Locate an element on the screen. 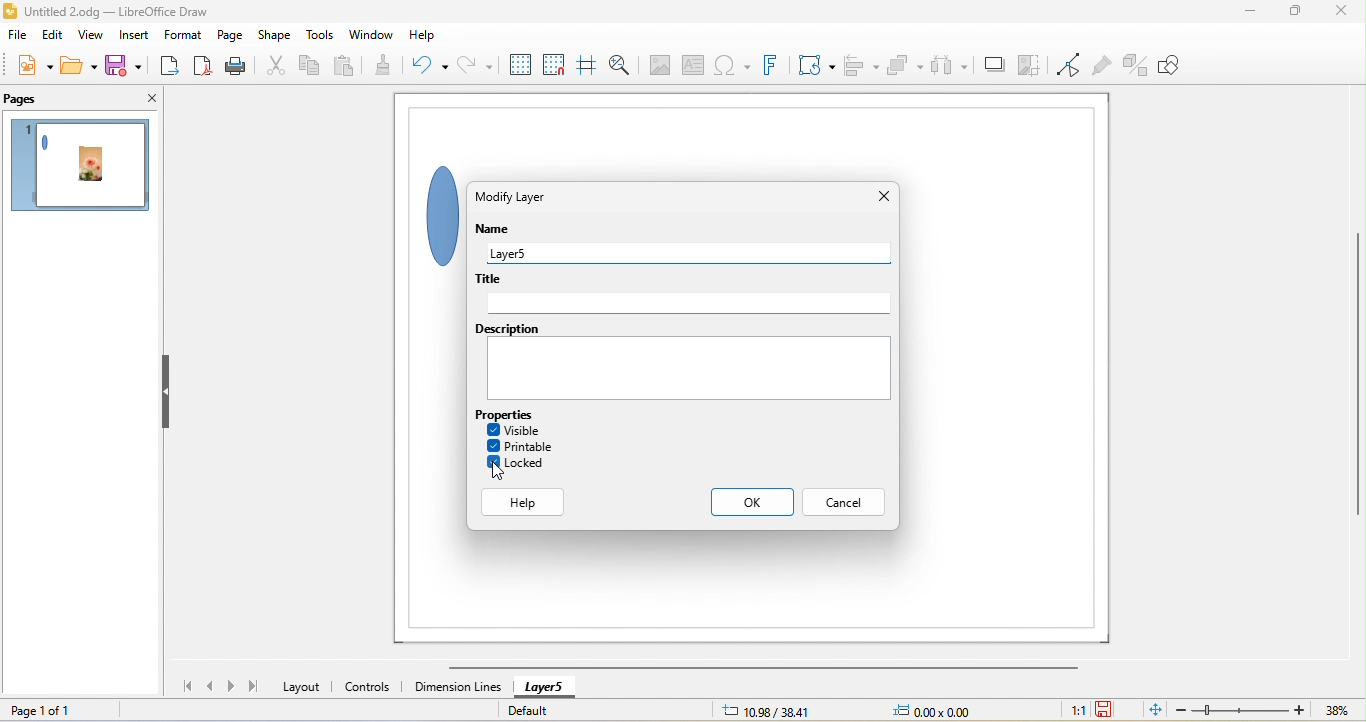  print is located at coordinates (243, 67).